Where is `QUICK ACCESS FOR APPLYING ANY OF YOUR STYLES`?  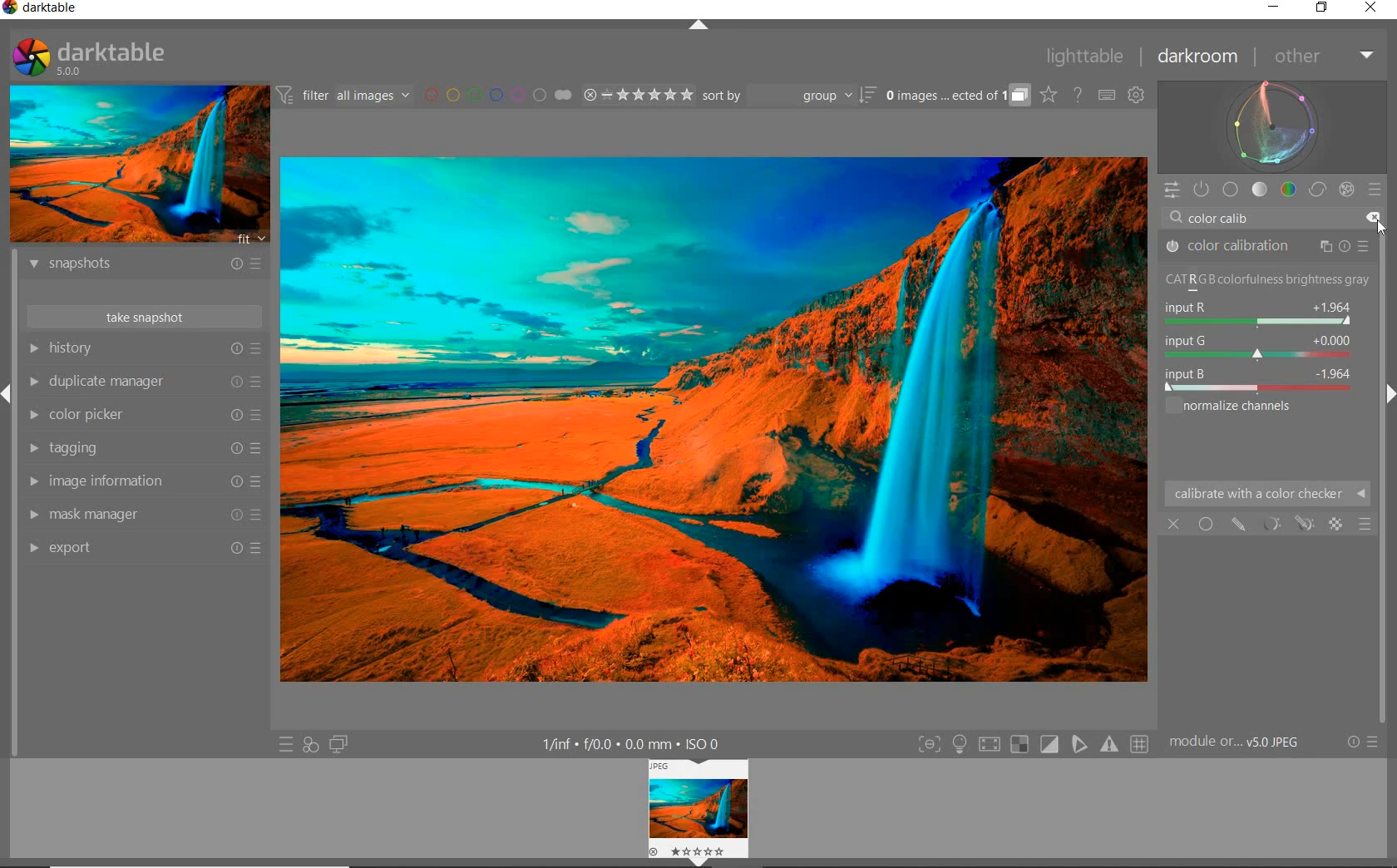 QUICK ACCESS FOR APPLYING ANY OF YOUR STYLES is located at coordinates (309, 746).